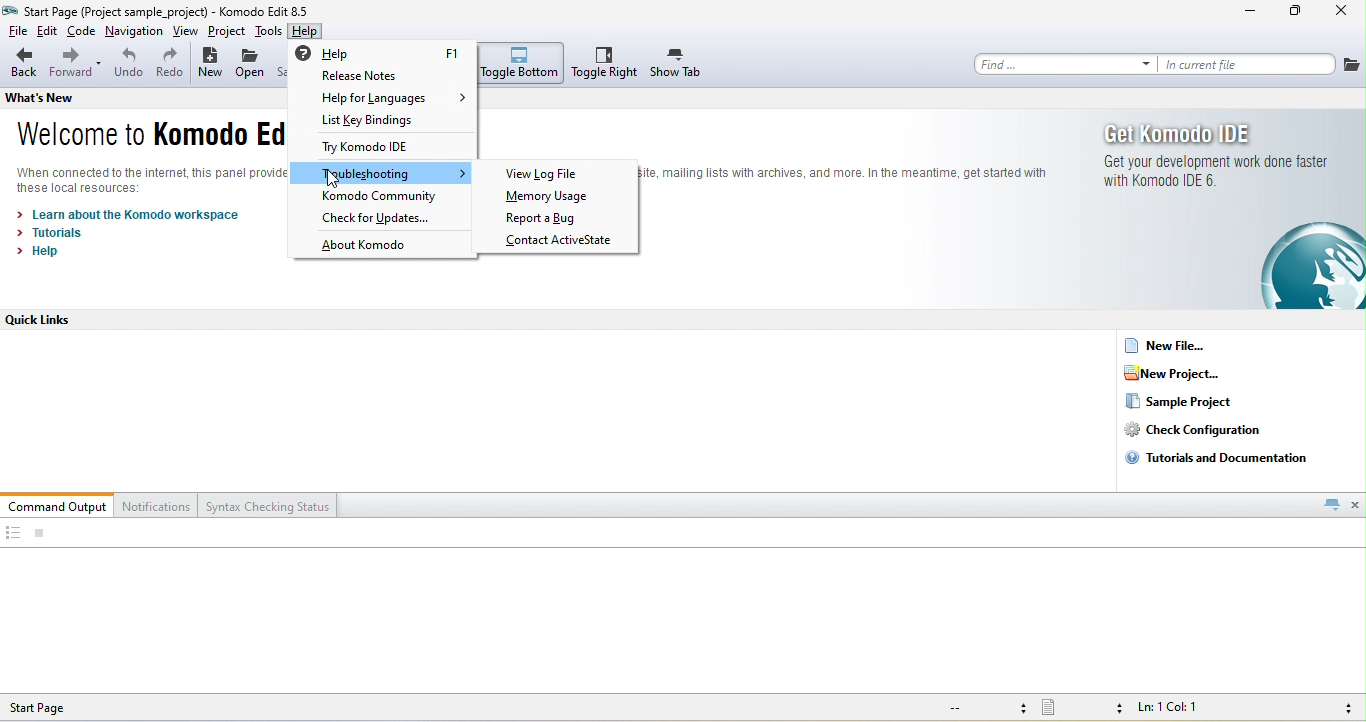  I want to click on project, so click(226, 32).